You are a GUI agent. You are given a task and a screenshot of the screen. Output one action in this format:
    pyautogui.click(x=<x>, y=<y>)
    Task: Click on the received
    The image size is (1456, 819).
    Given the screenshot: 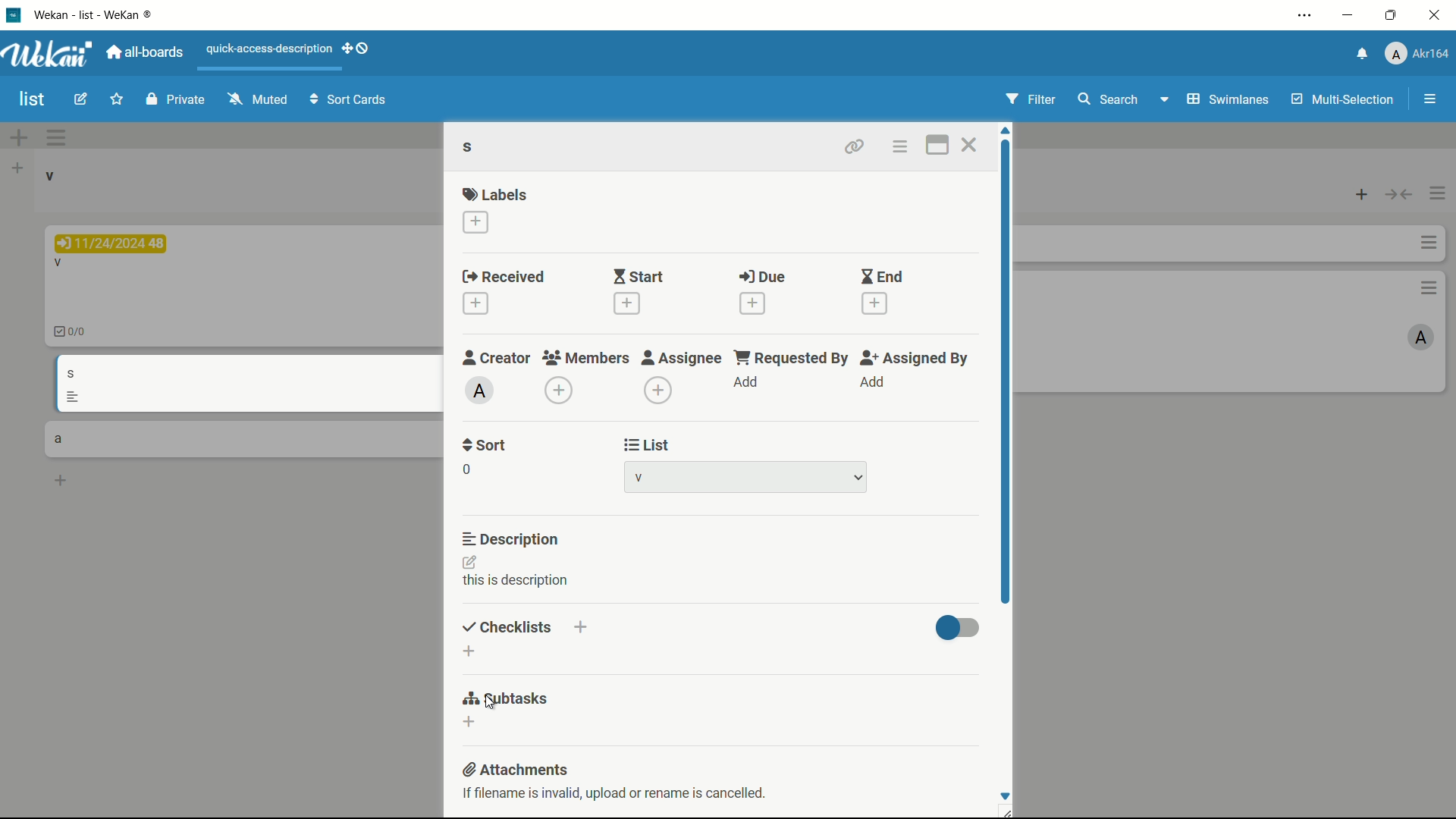 What is the action you would take?
    pyautogui.click(x=504, y=275)
    